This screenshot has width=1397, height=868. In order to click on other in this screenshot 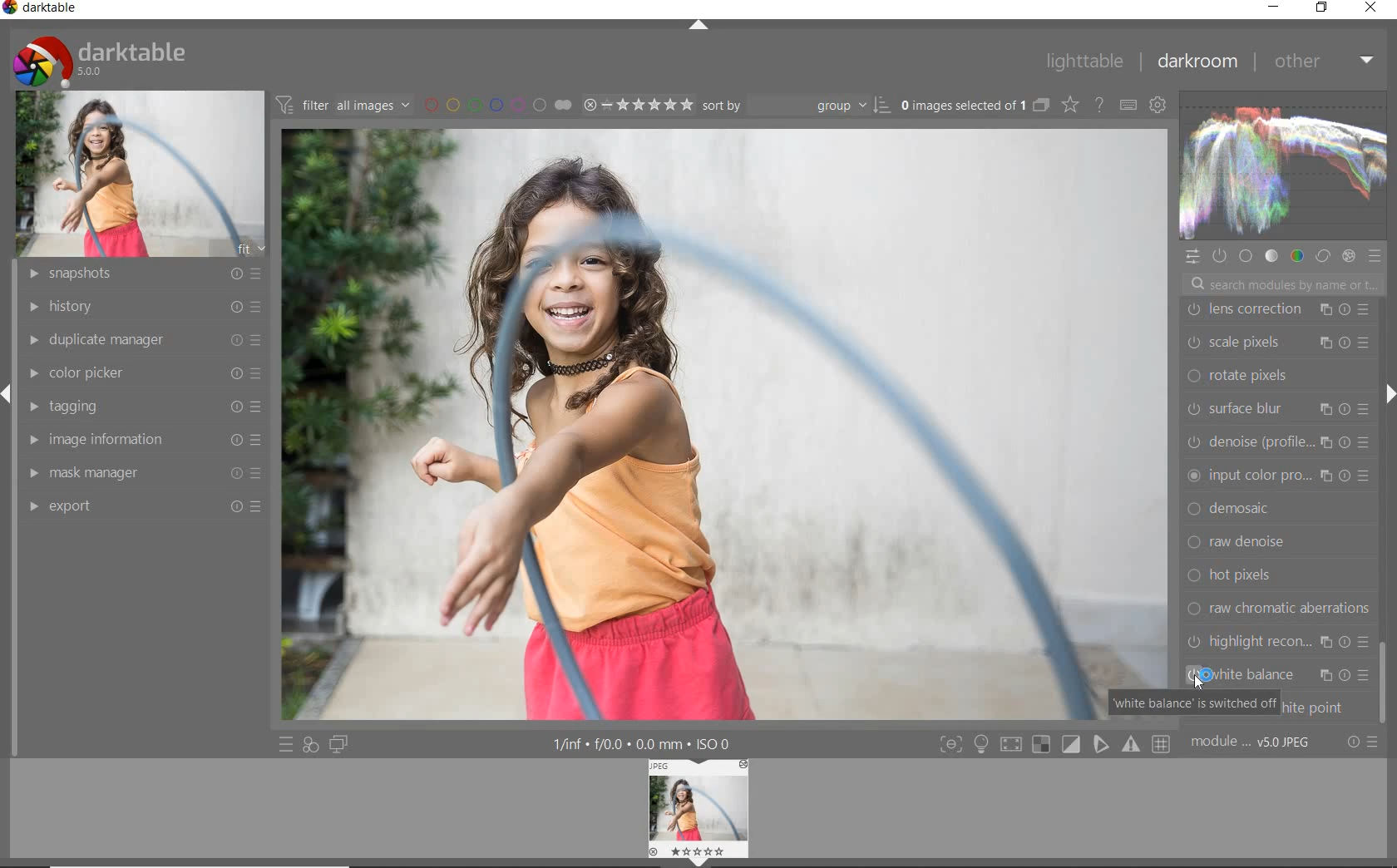, I will do `click(1324, 61)`.